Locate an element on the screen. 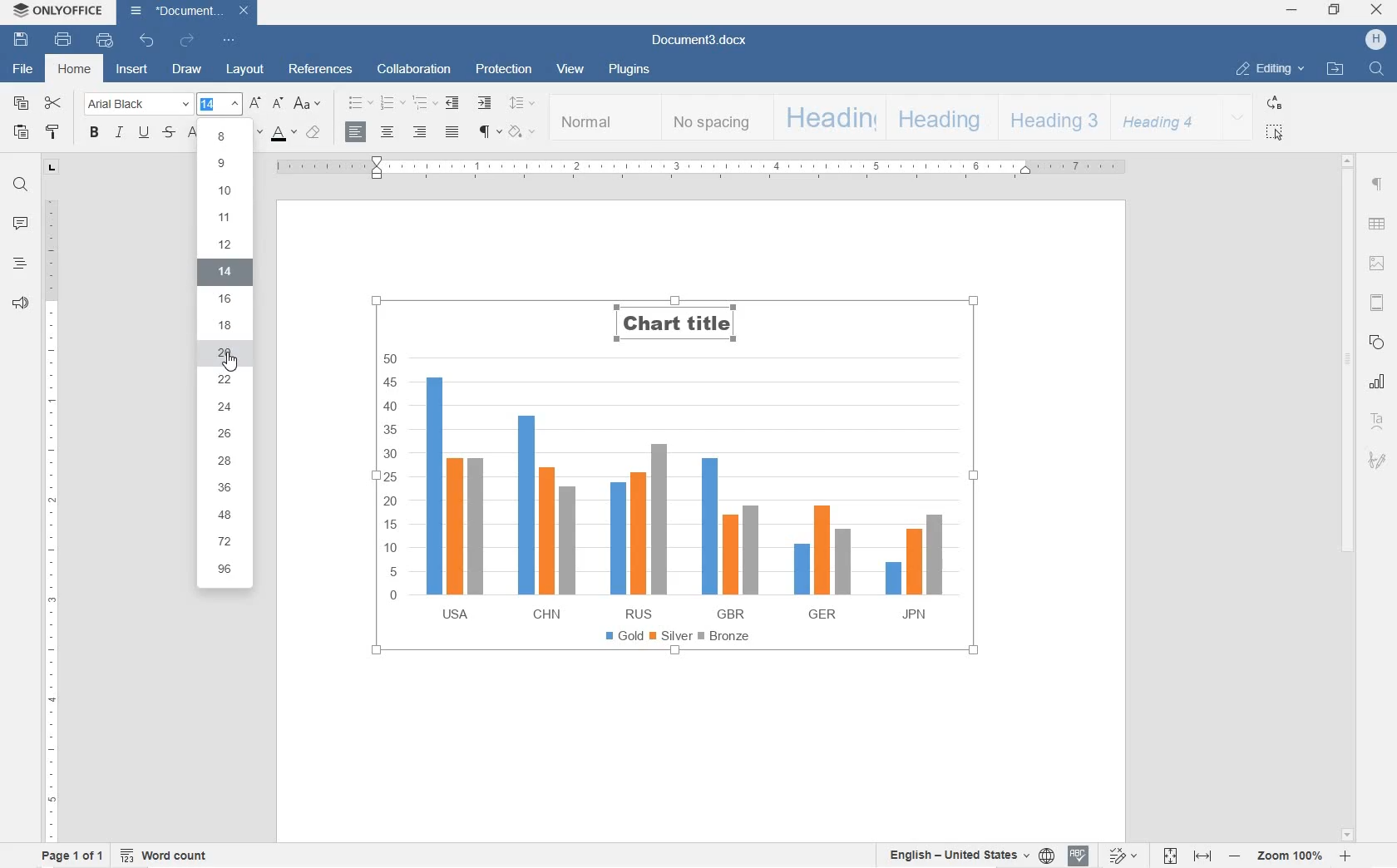 The height and width of the screenshot is (868, 1397). 20 is located at coordinates (225, 353).